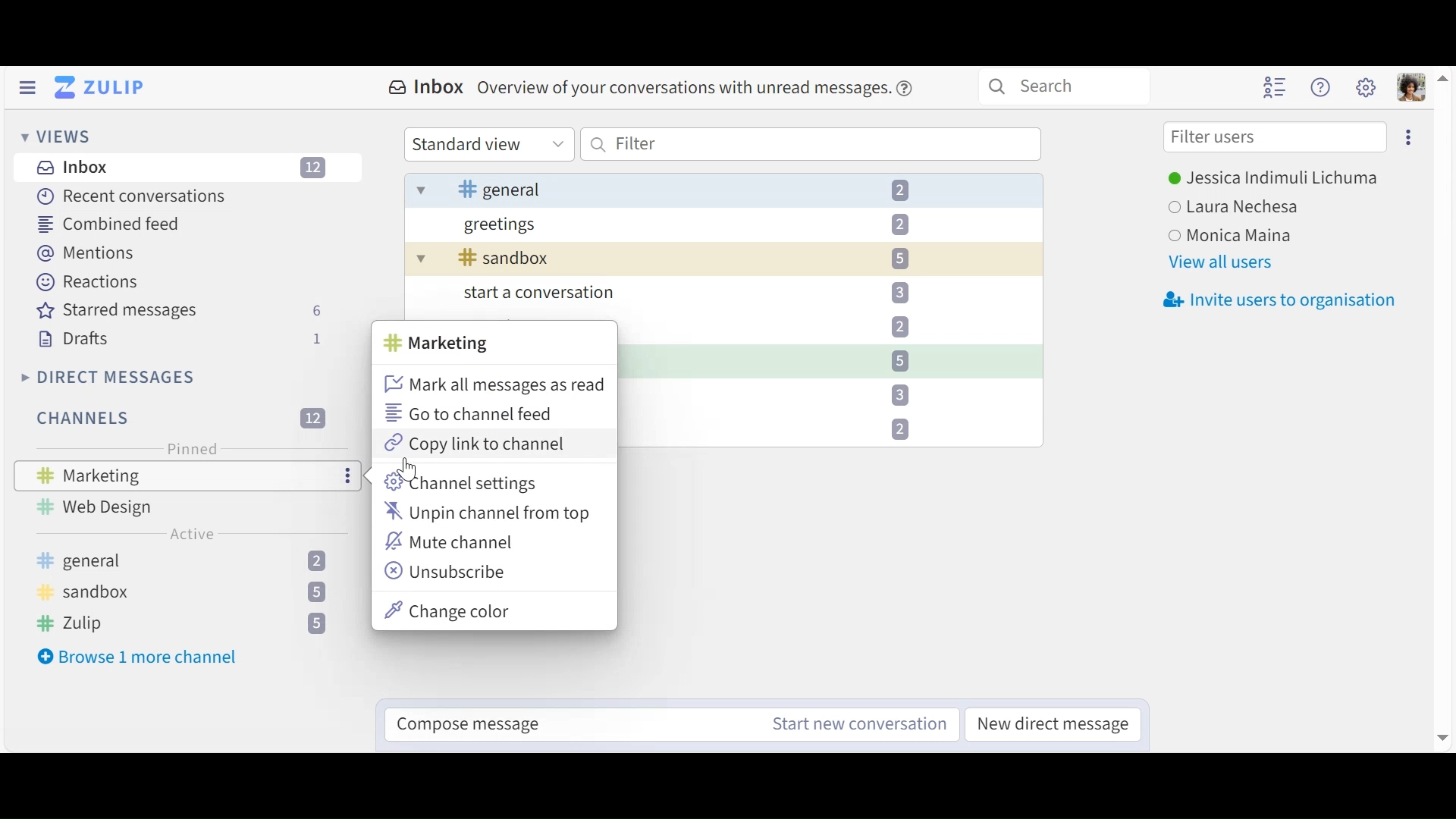  I want to click on user2, so click(1241, 207).